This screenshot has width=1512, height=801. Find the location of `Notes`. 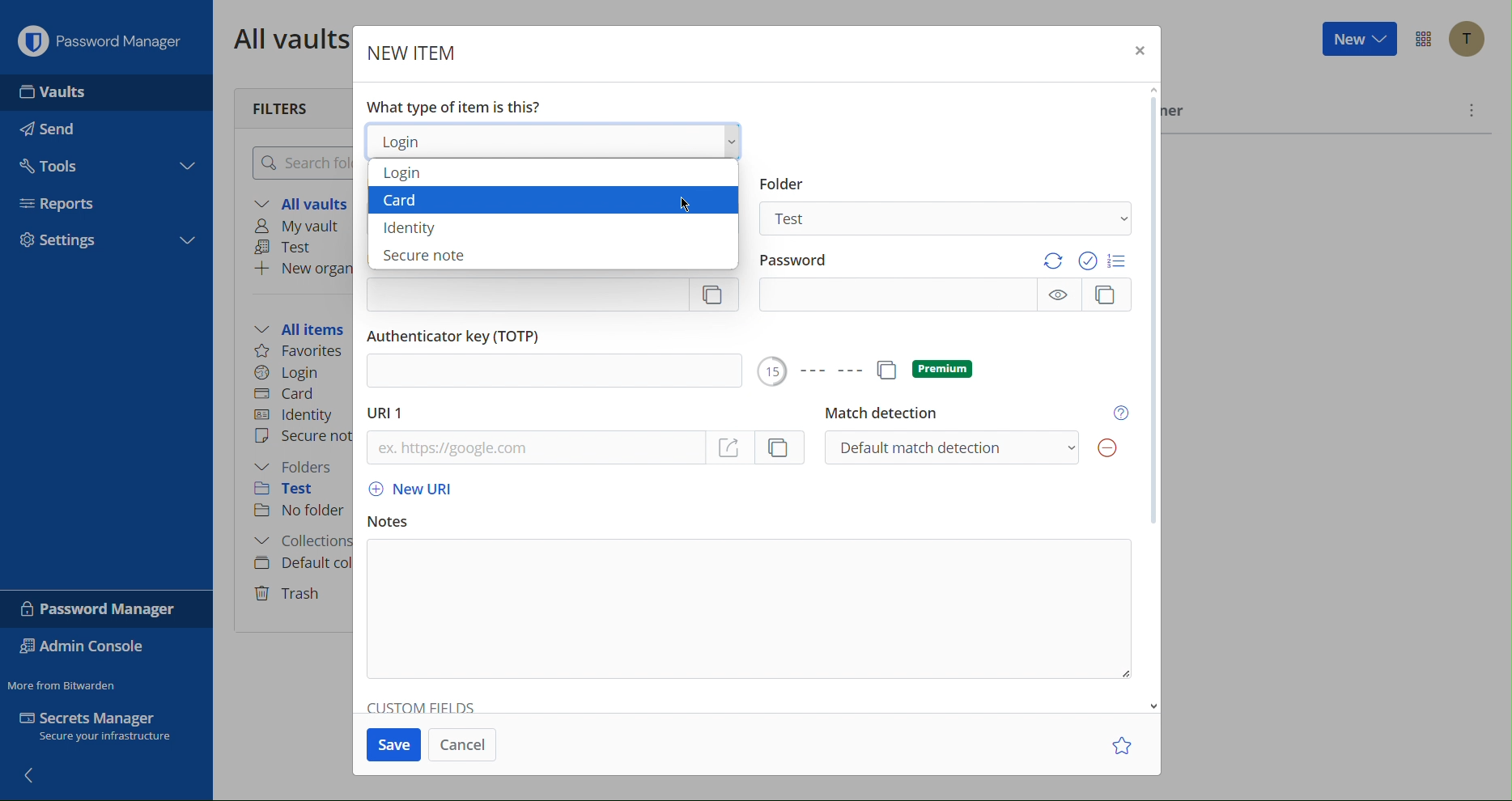

Notes is located at coordinates (393, 518).